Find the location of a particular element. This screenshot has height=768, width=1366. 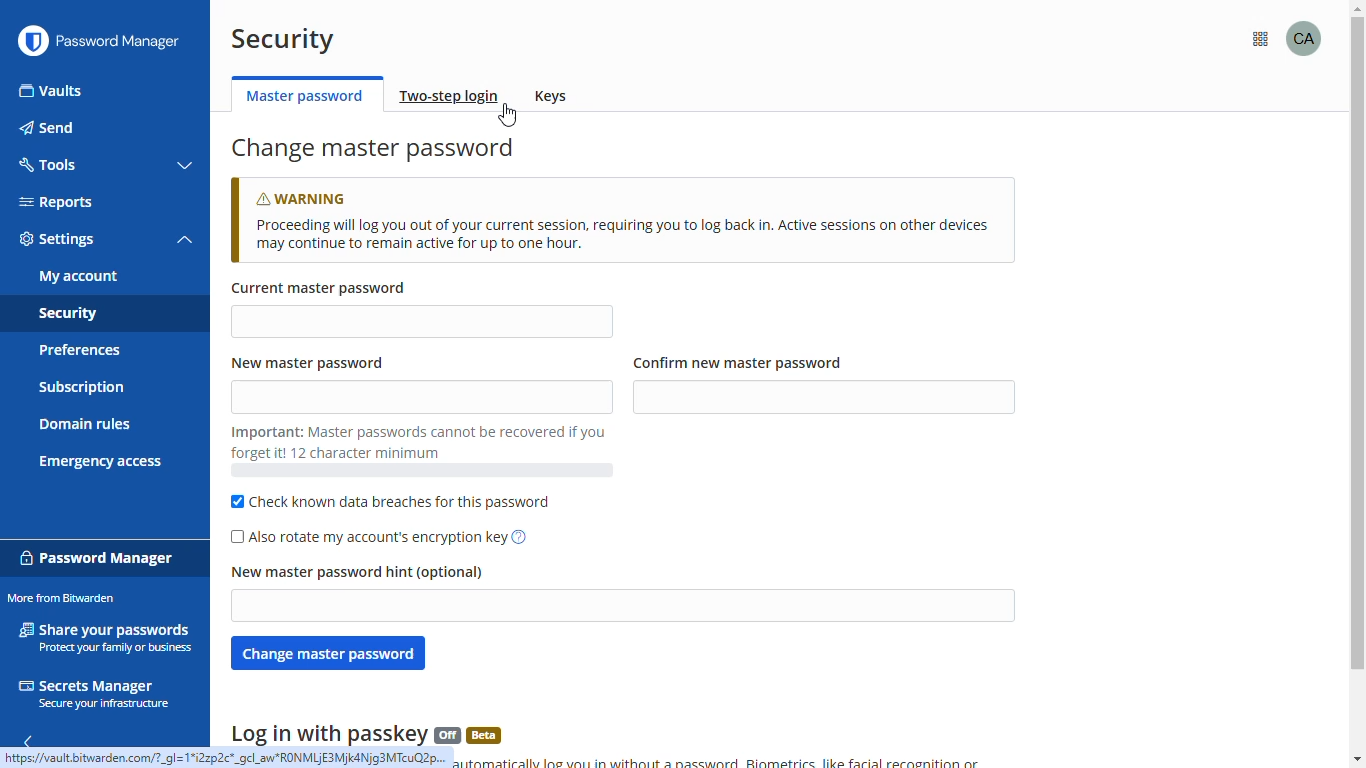

two-step login is located at coordinates (449, 95).